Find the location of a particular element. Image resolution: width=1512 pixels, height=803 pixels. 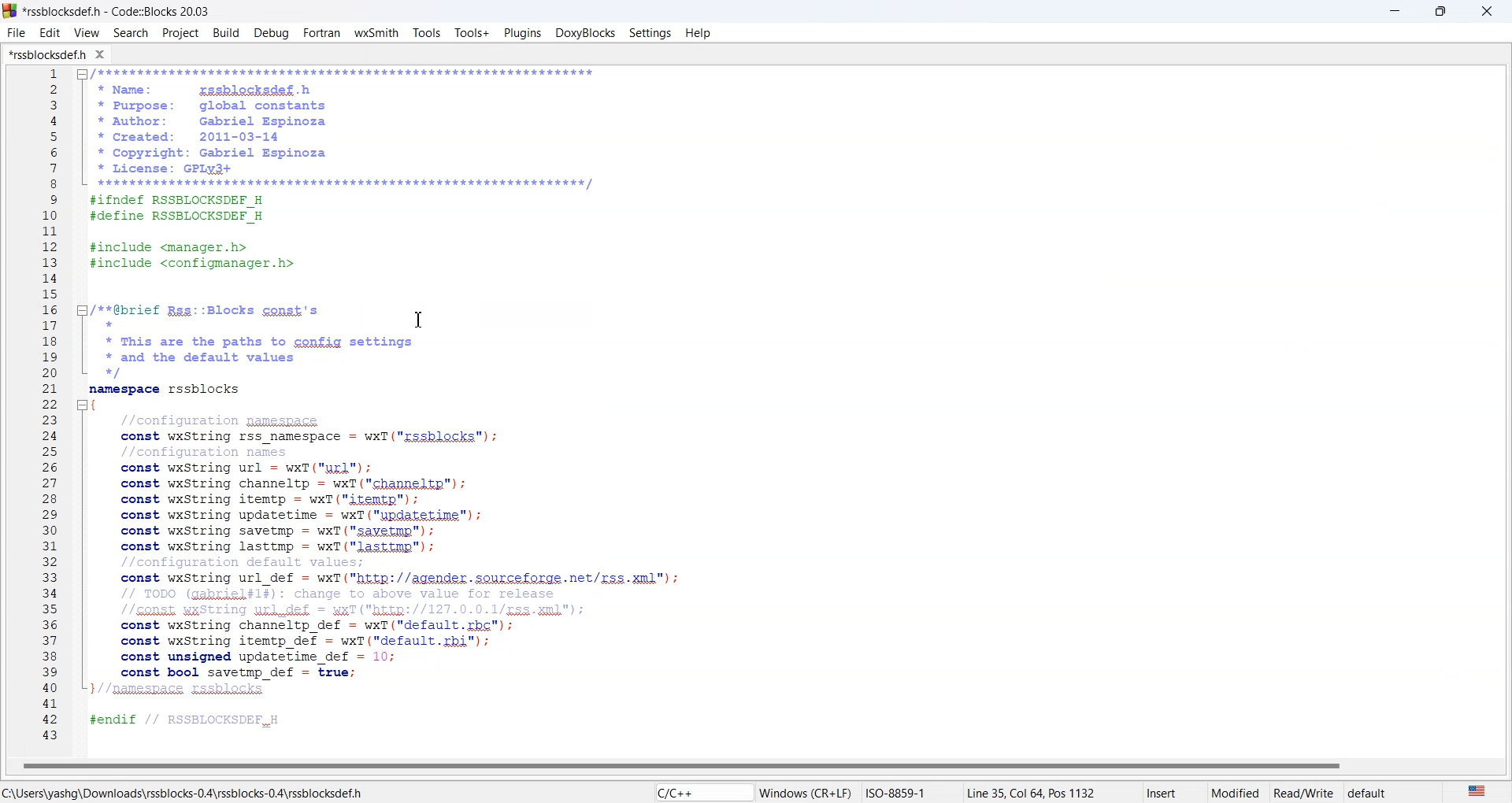

Plugins is located at coordinates (523, 34).